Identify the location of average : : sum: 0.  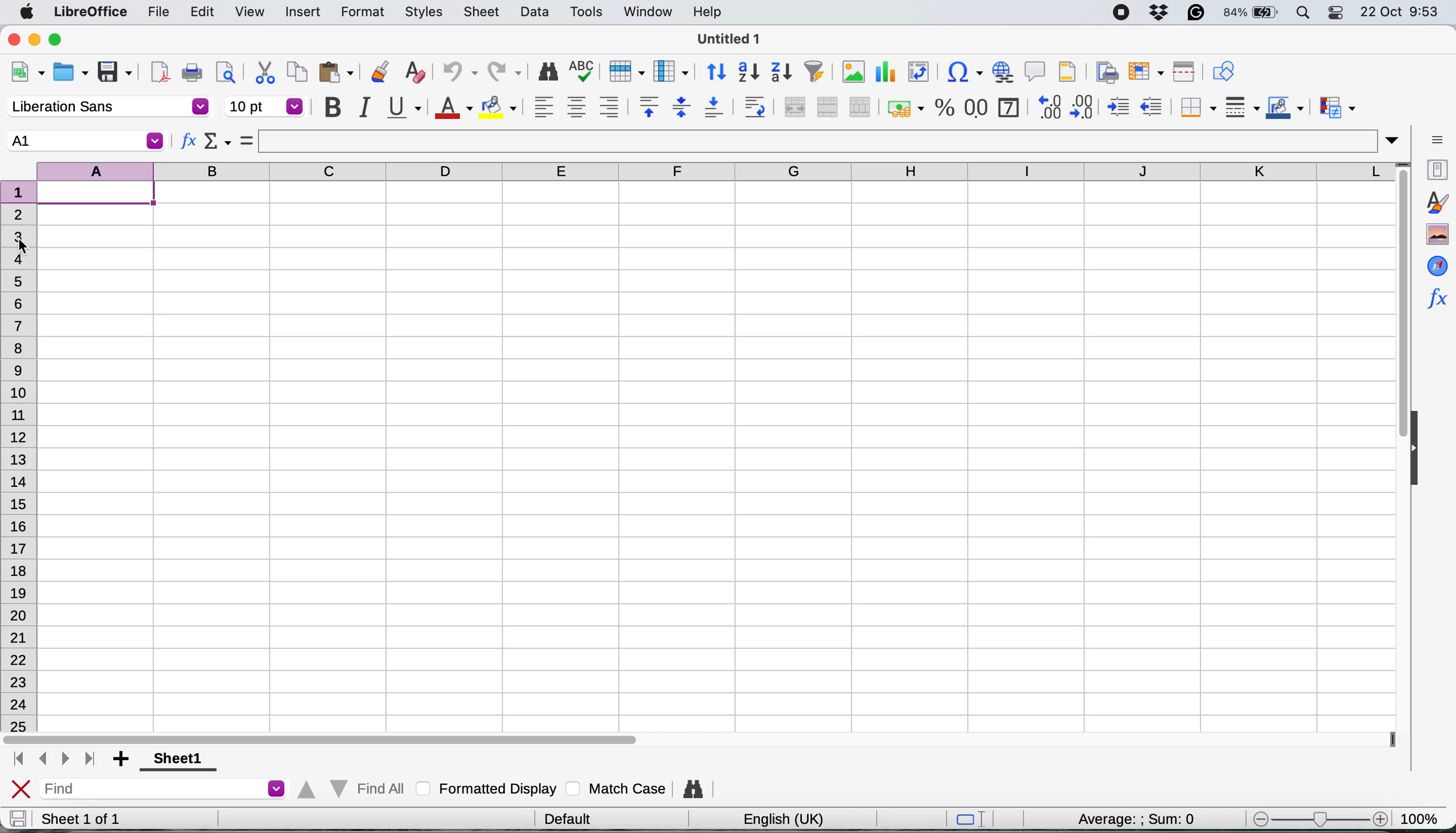
(1121, 817).